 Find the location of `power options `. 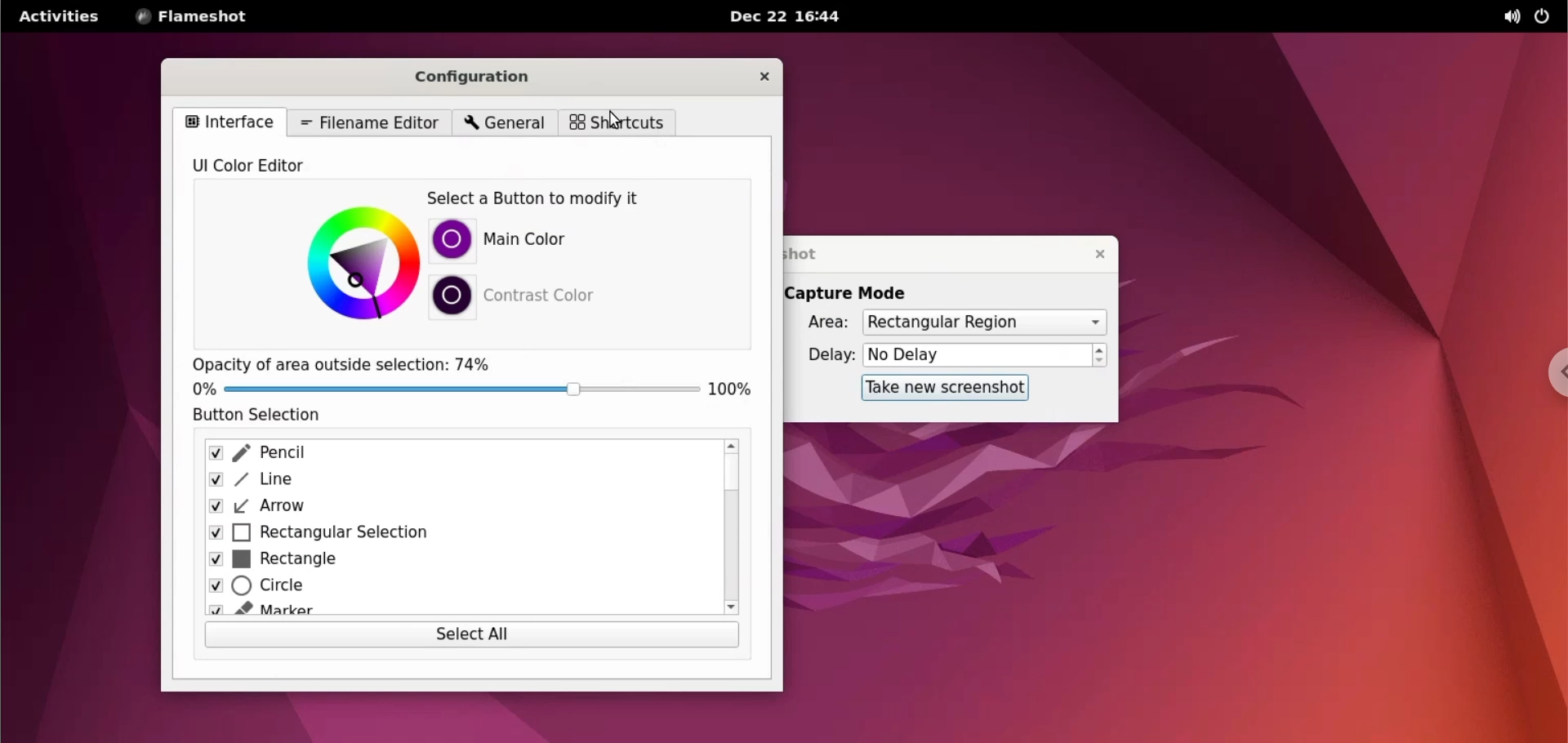

power options  is located at coordinates (1545, 17).